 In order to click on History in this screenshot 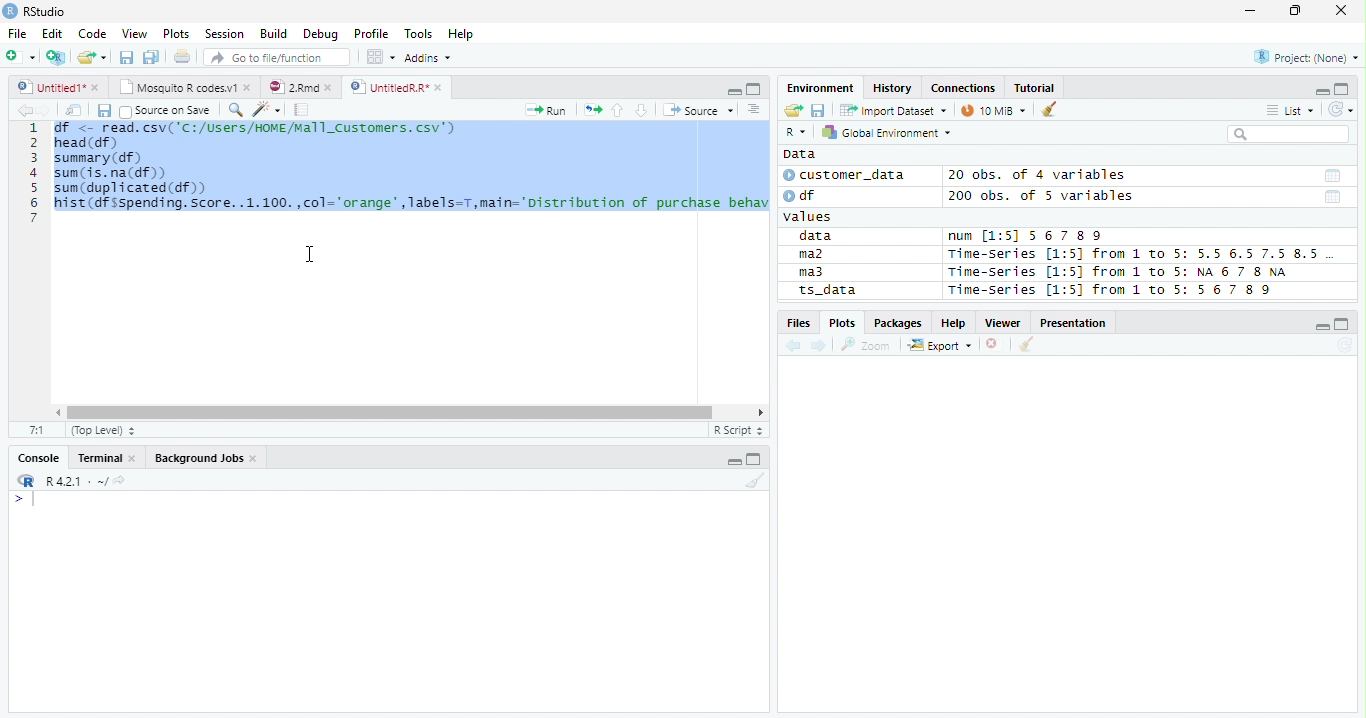, I will do `click(894, 89)`.